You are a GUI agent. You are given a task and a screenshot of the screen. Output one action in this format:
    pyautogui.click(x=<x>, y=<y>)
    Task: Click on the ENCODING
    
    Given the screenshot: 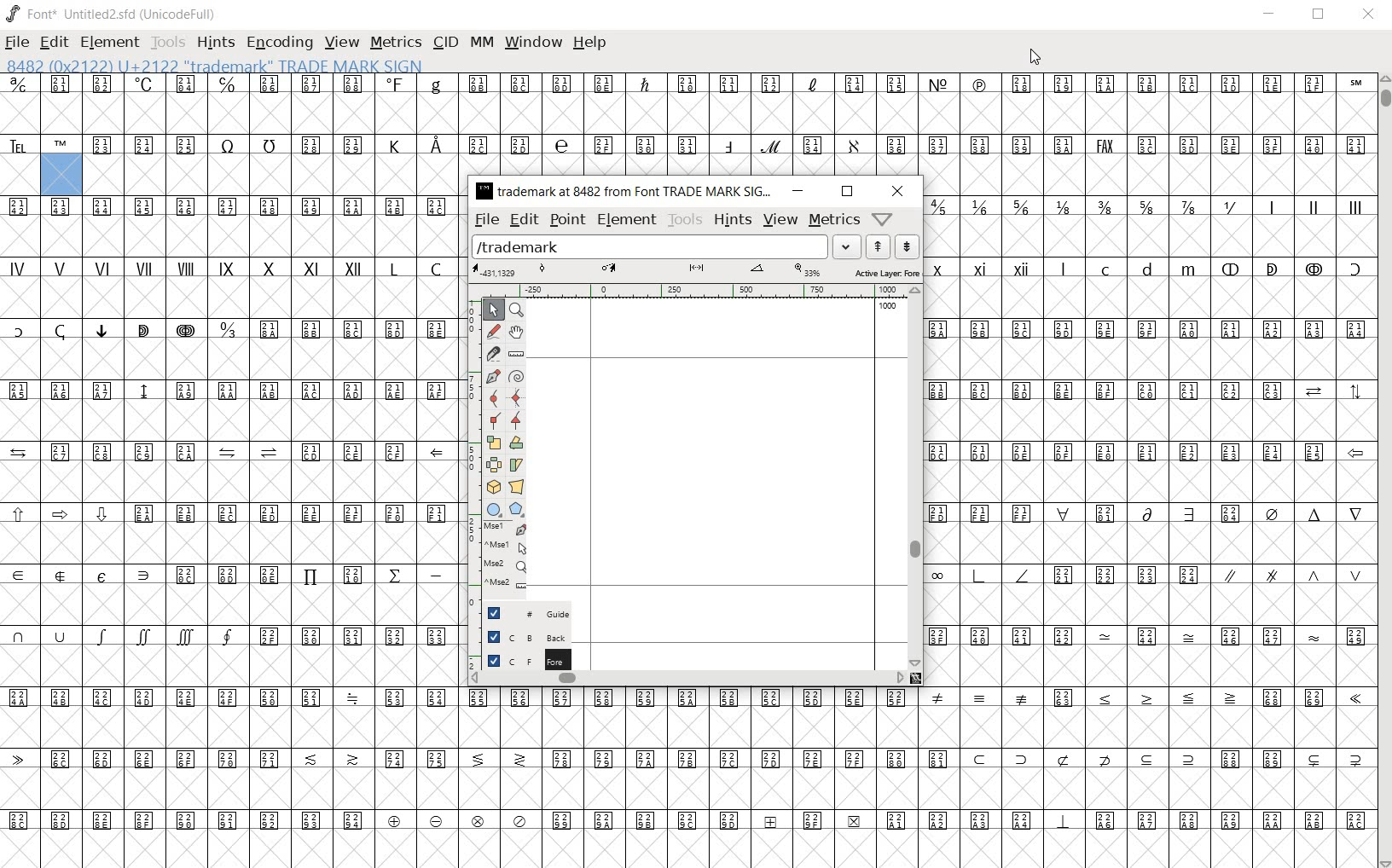 What is the action you would take?
    pyautogui.click(x=280, y=43)
    